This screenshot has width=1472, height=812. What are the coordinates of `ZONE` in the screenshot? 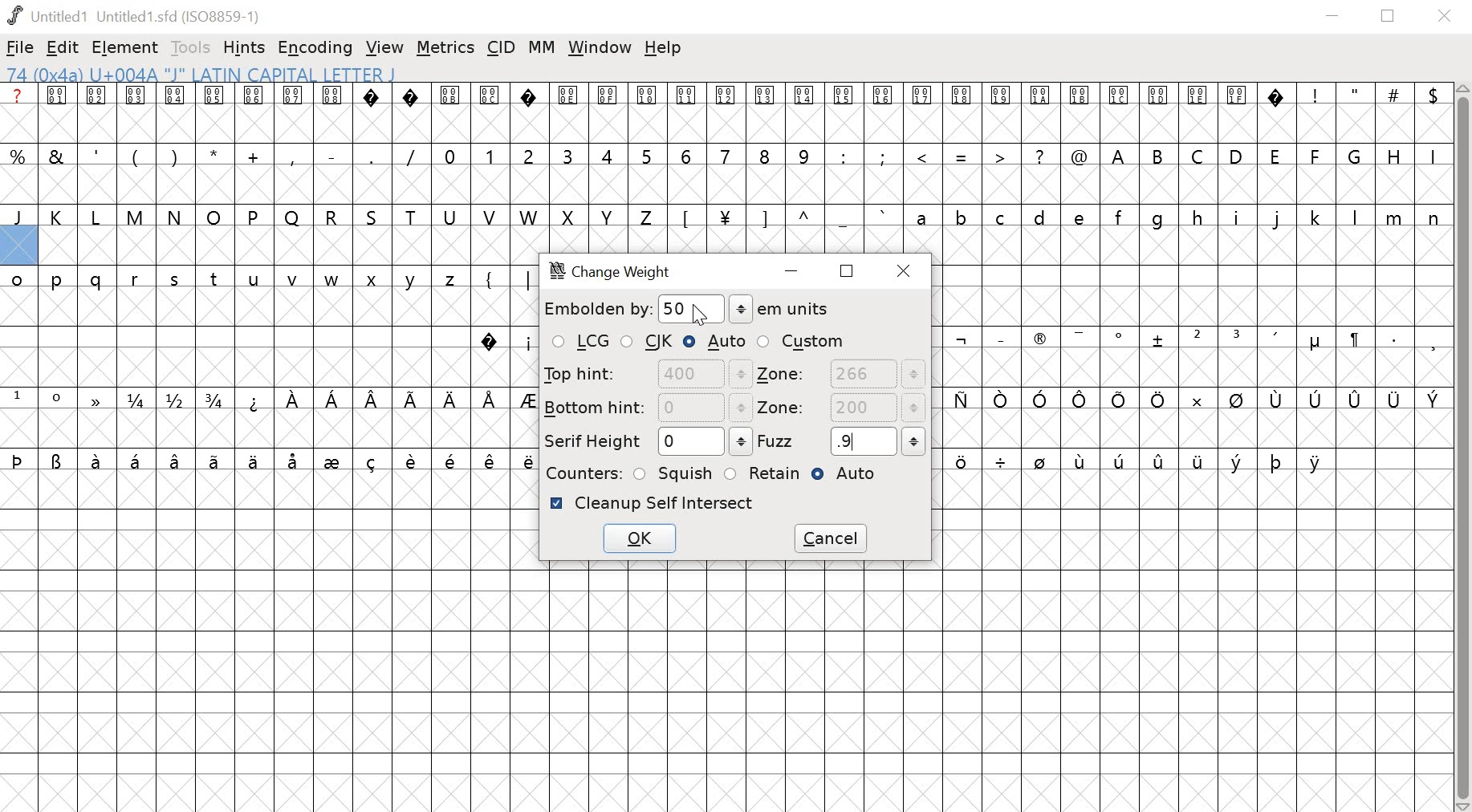 It's located at (841, 375).